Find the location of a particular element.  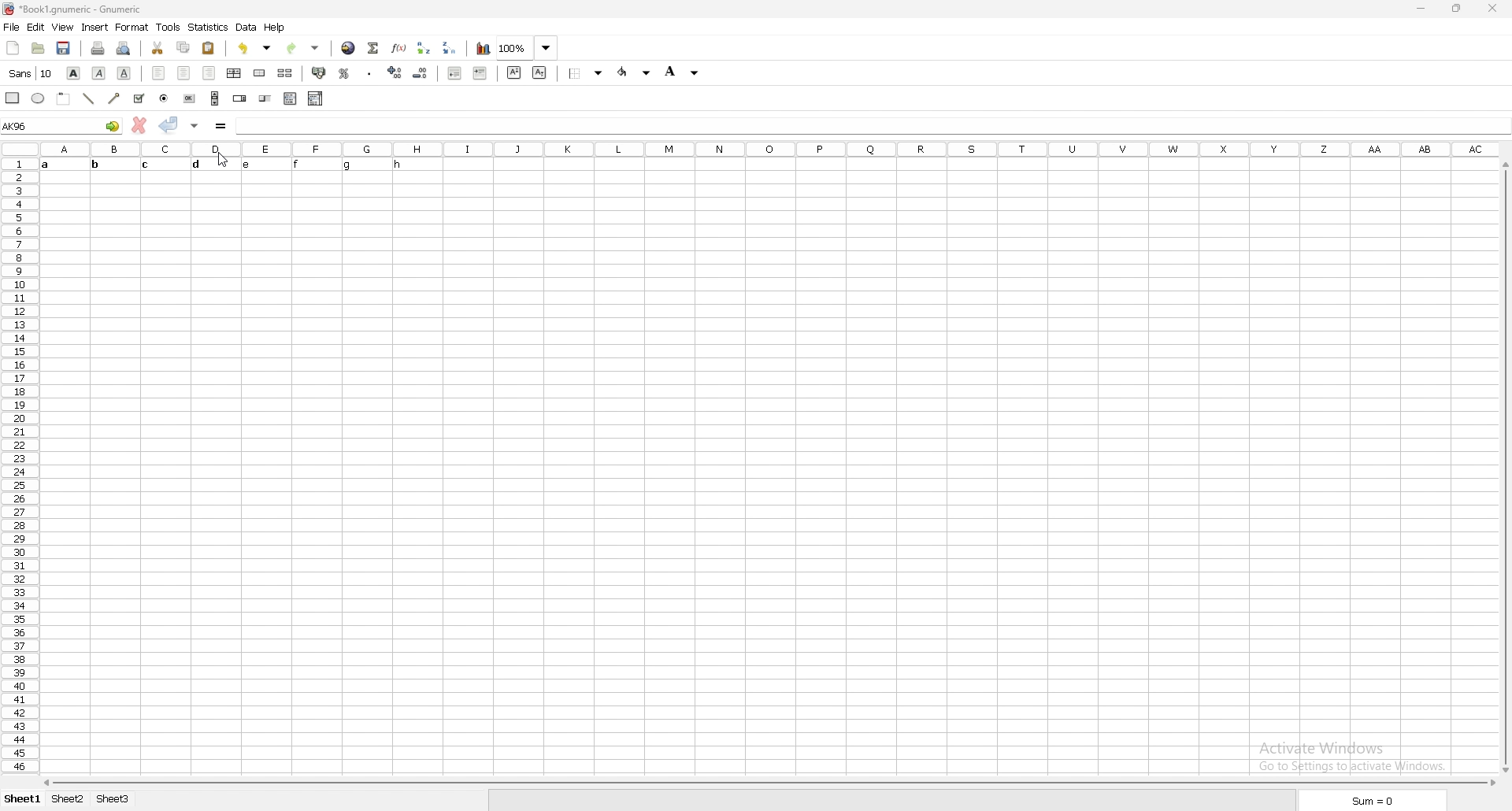

font is located at coordinates (31, 72).